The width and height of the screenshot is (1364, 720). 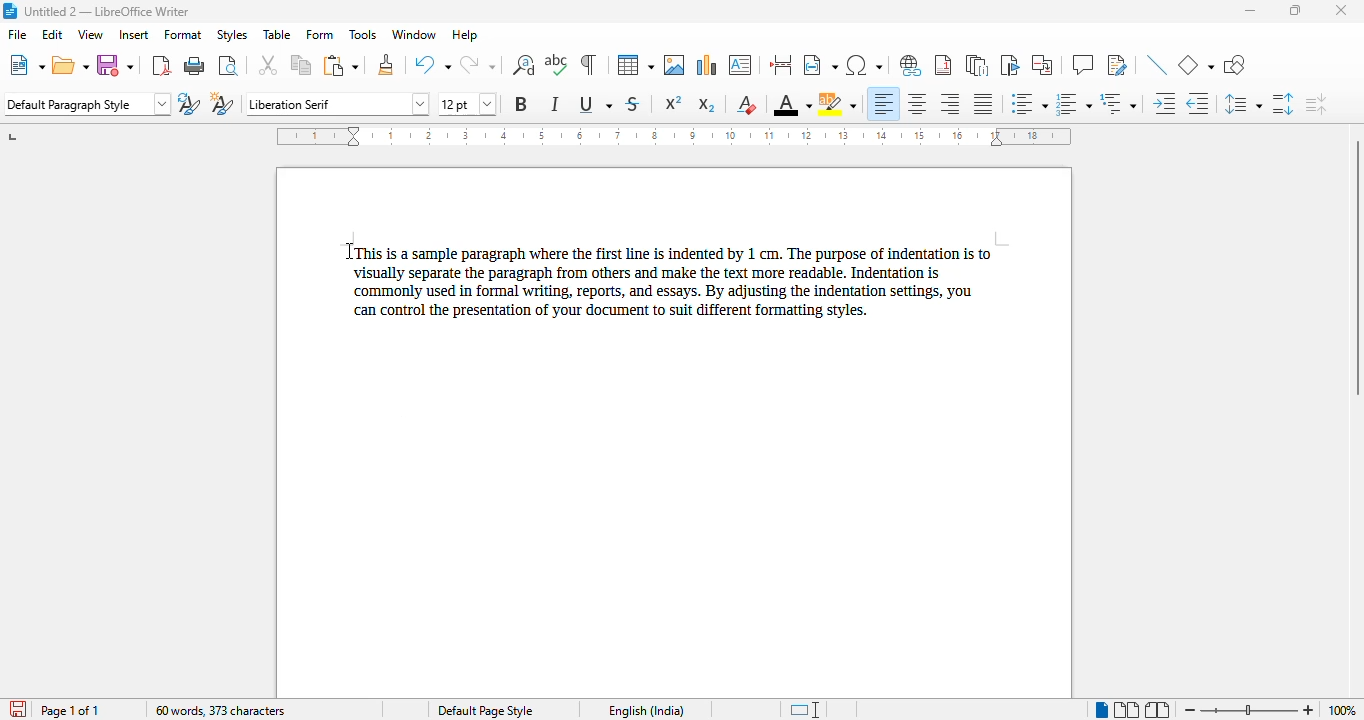 What do you see at coordinates (792, 104) in the screenshot?
I see `font color` at bounding box center [792, 104].